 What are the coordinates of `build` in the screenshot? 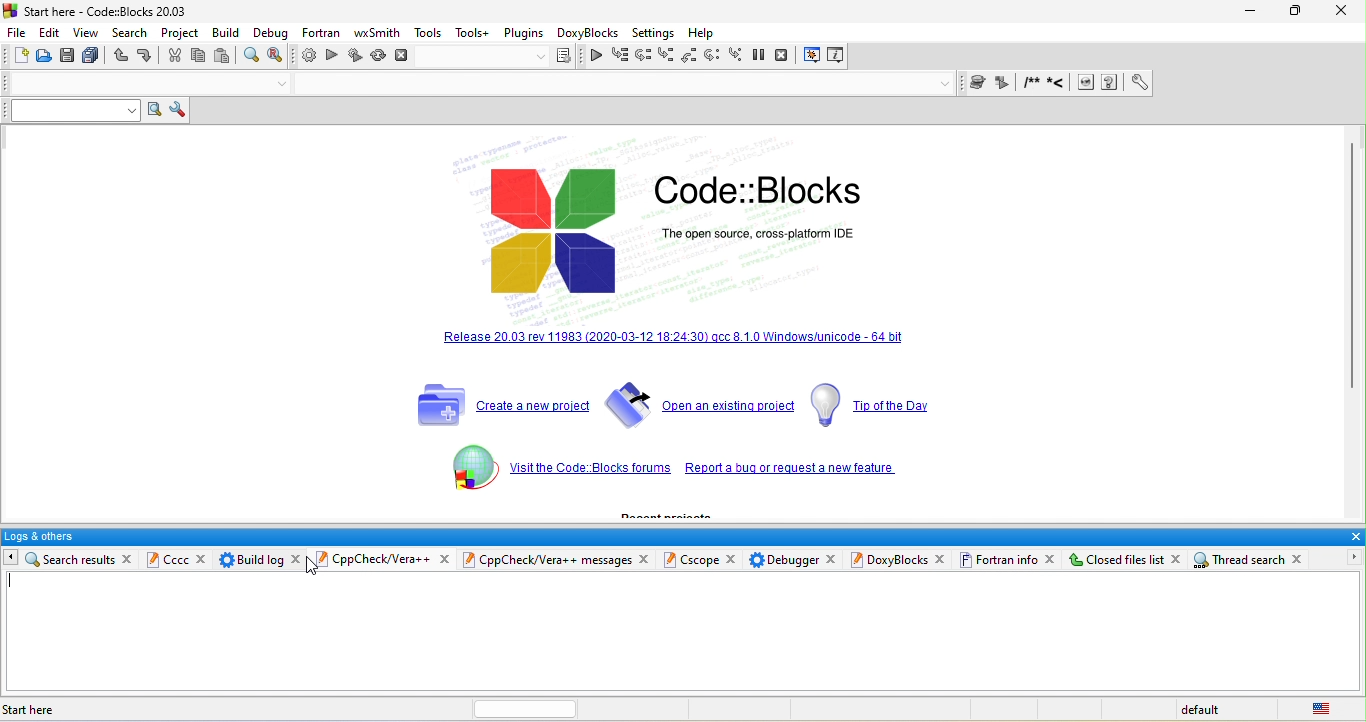 It's located at (306, 57).